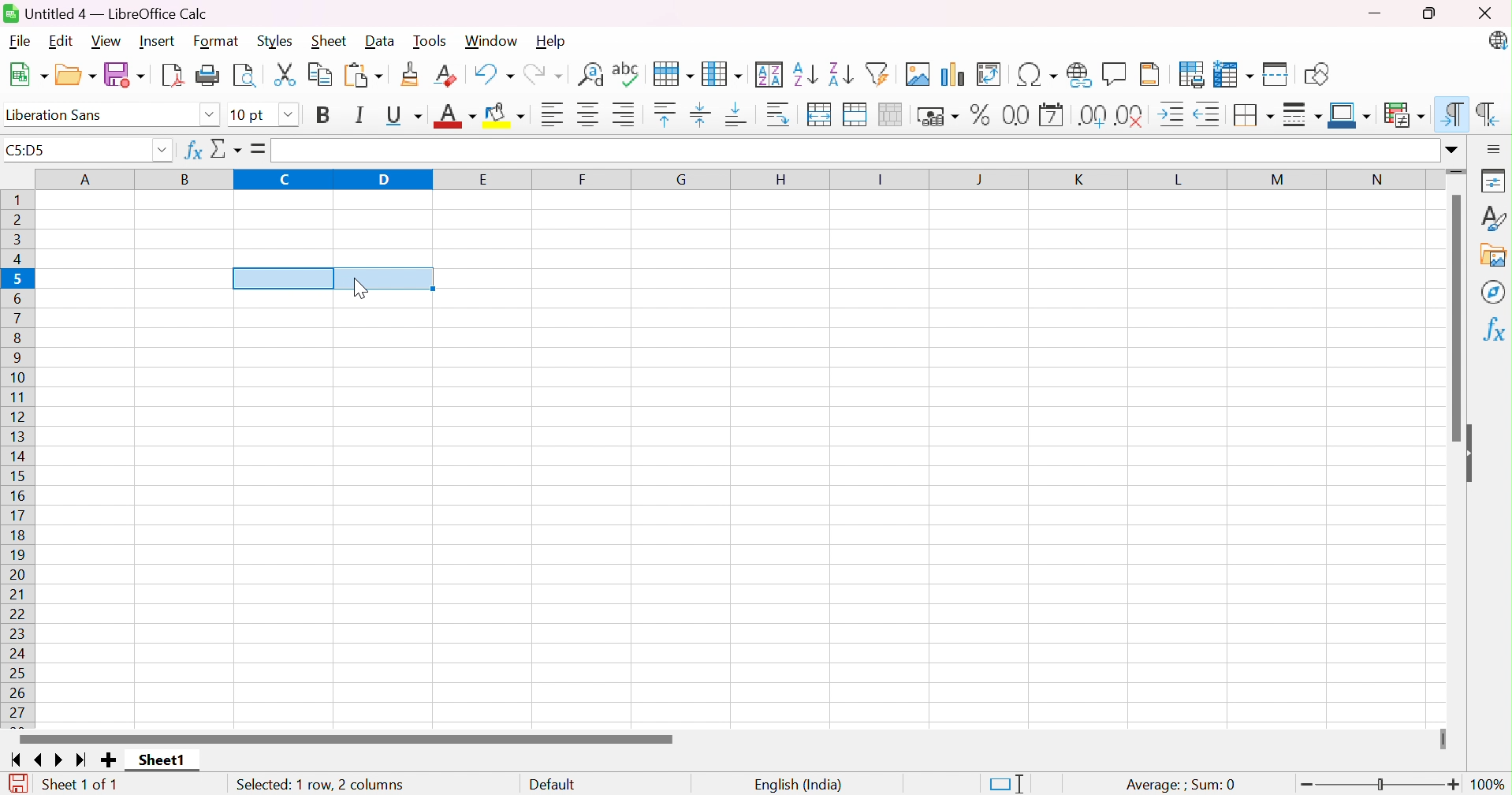 This screenshot has height=795, width=1512. Describe the element at coordinates (365, 74) in the screenshot. I see `Paste` at that location.